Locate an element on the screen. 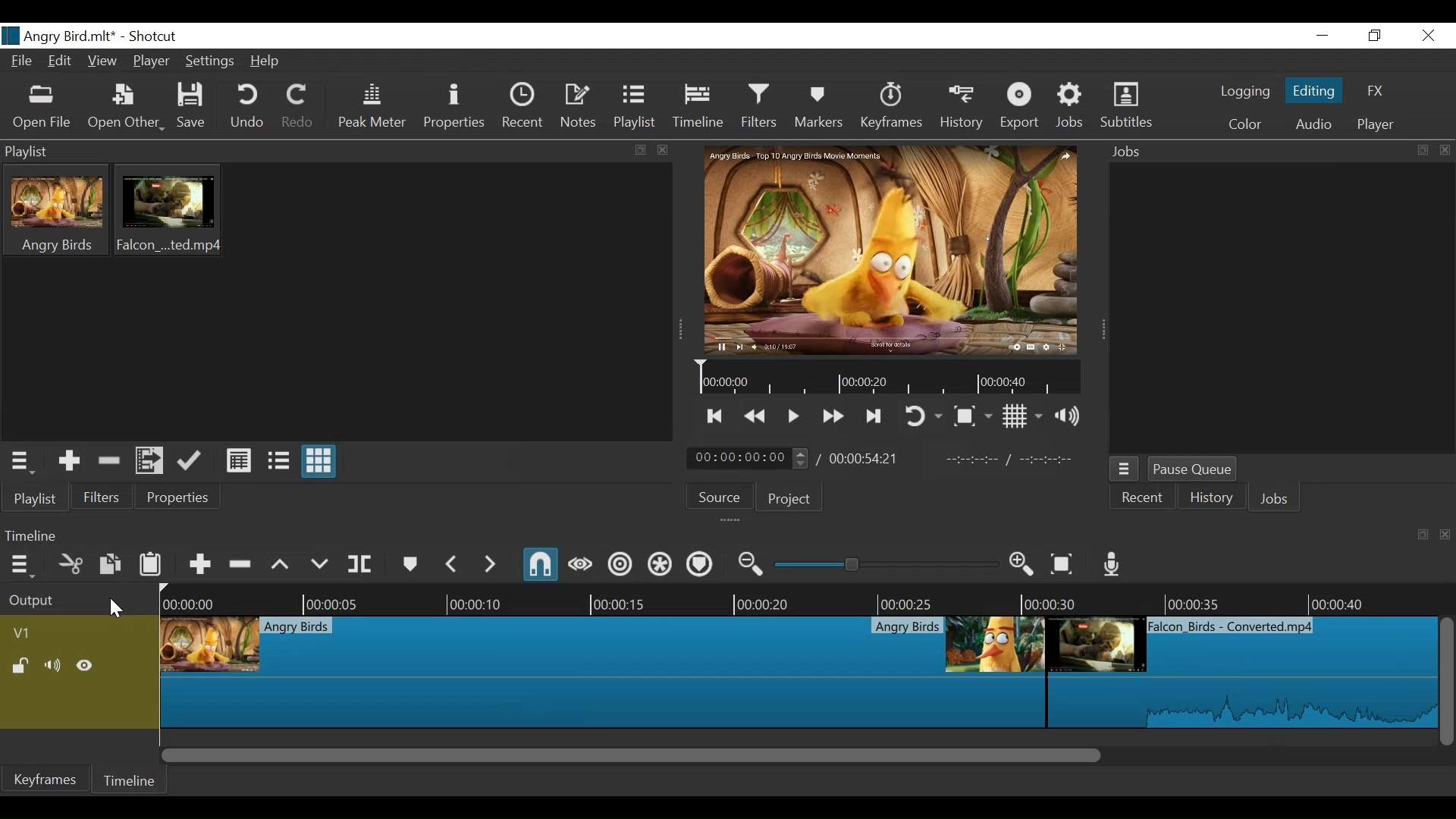 This screenshot has width=1456, height=819. Record audio is located at coordinates (1109, 565).